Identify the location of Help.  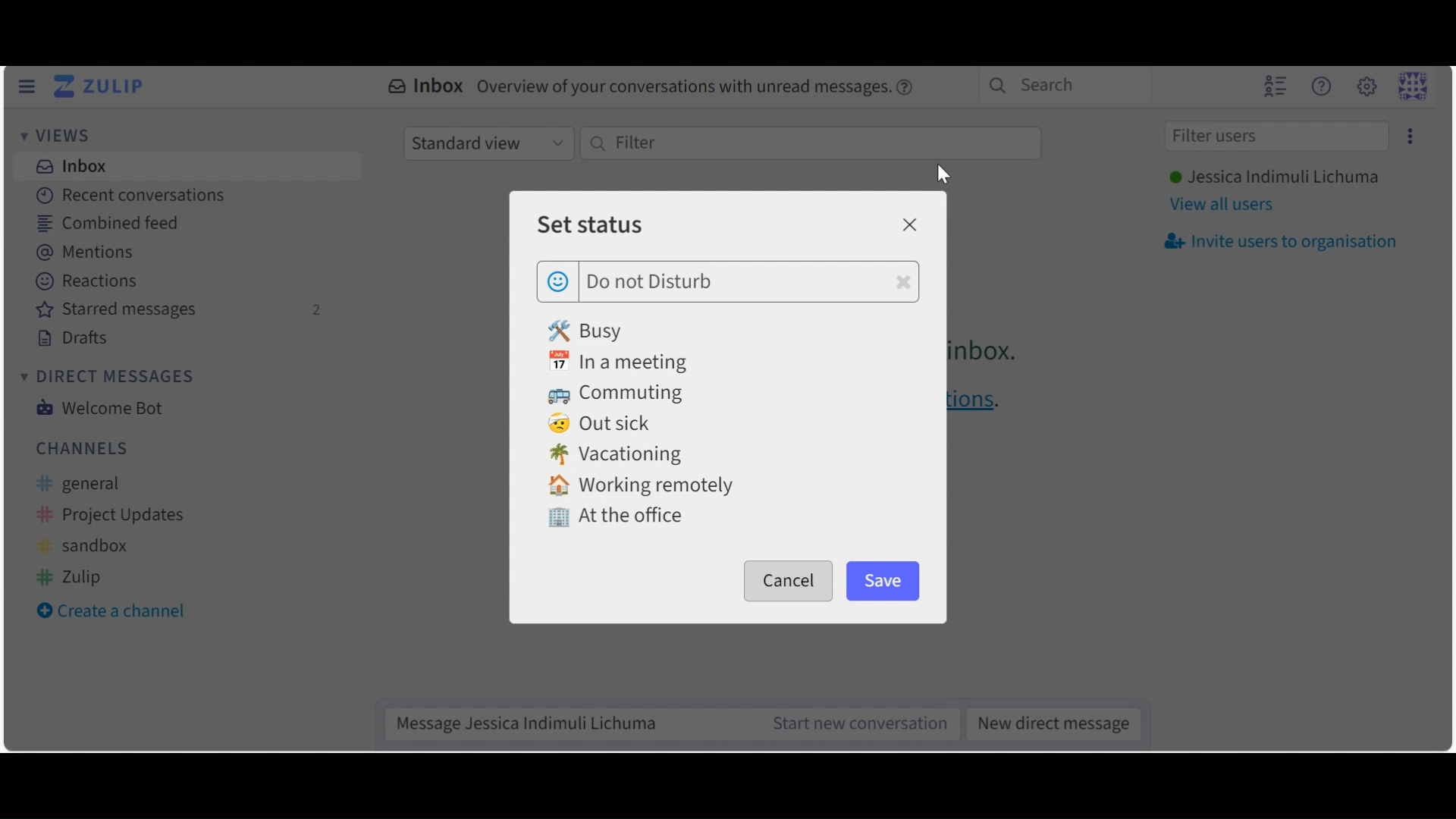
(1320, 86).